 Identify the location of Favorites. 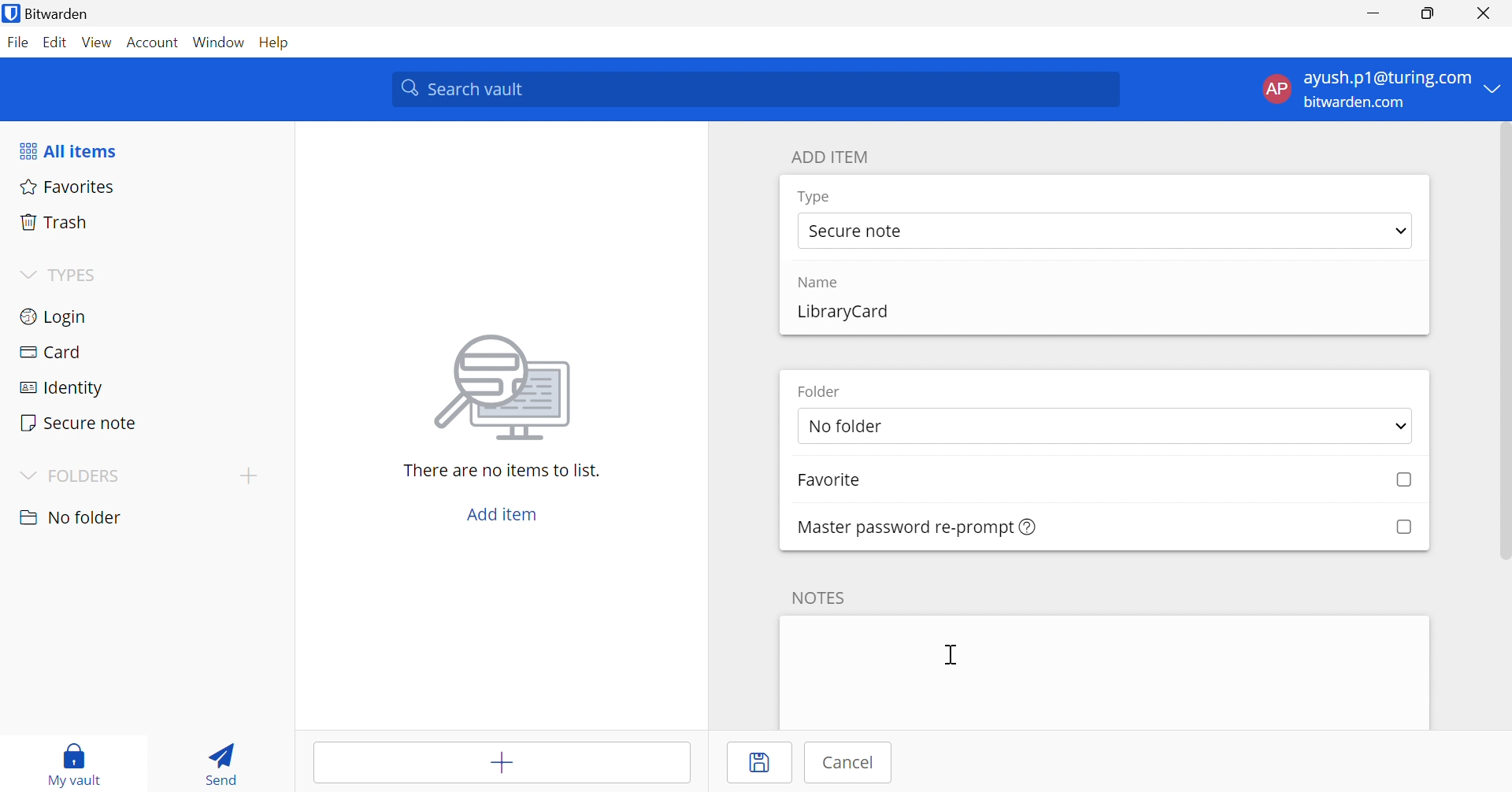
(146, 188).